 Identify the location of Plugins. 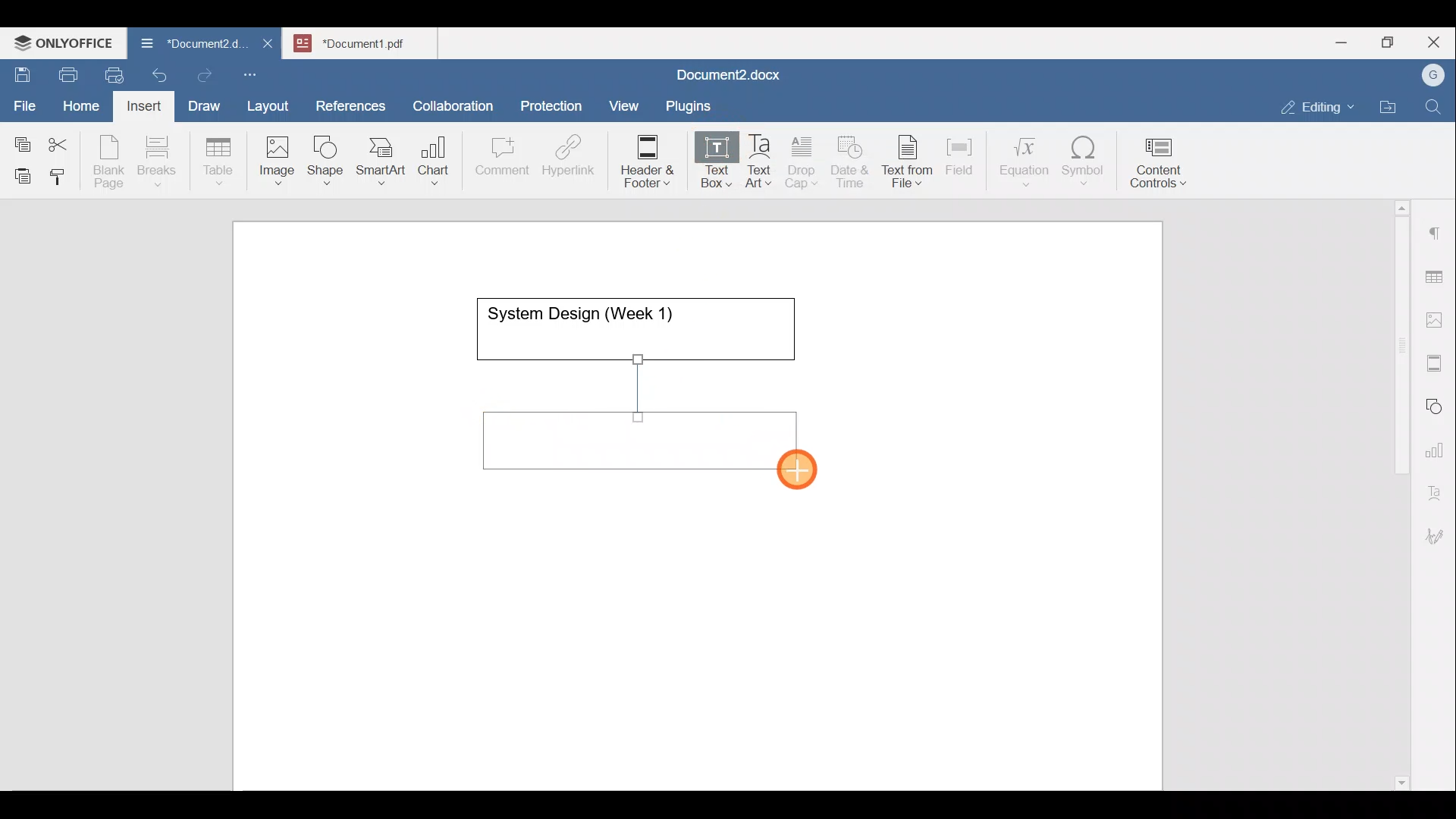
(693, 104).